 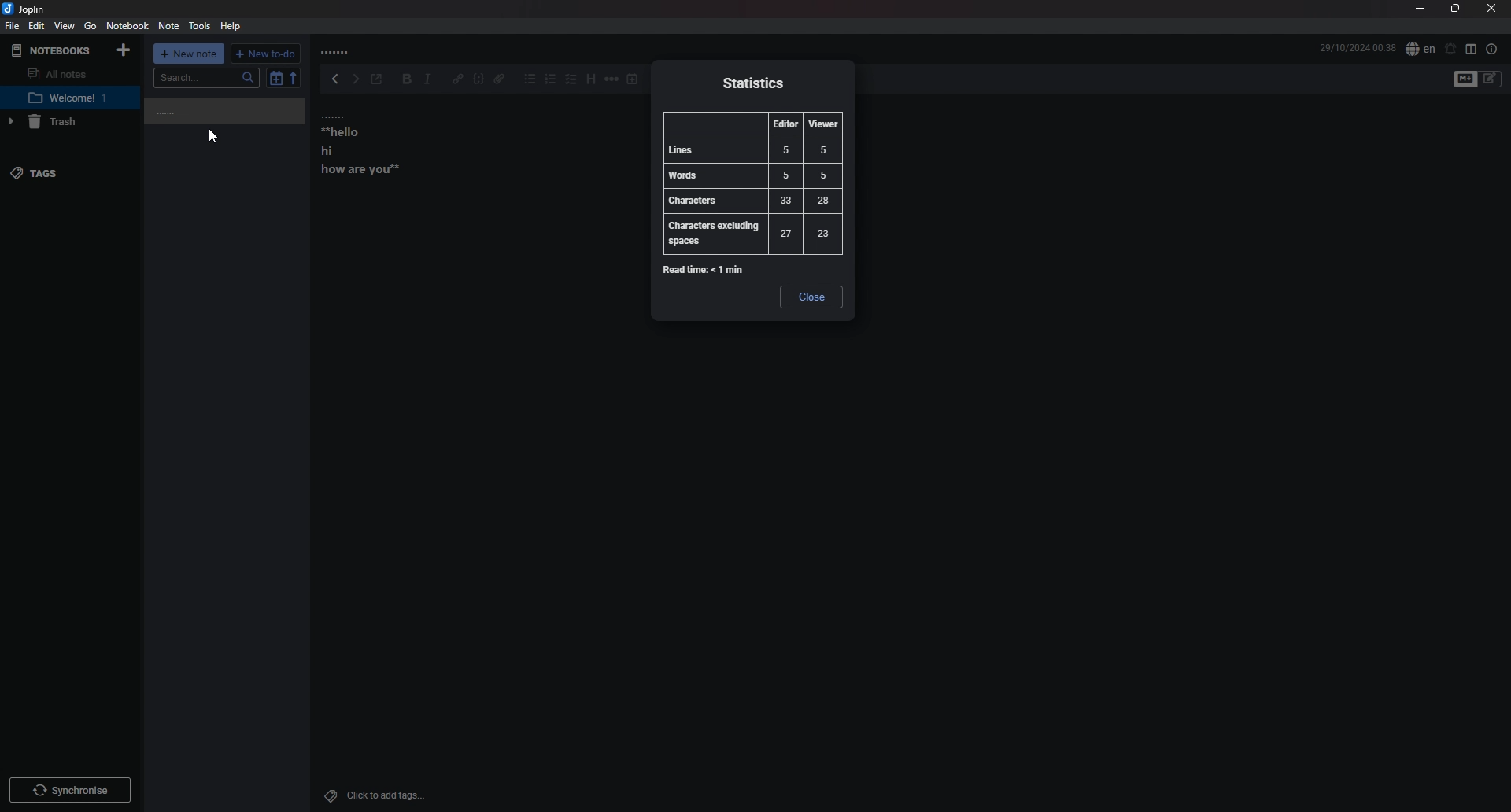 What do you see at coordinates (1493, 49) in the screenshot?
I see `Properties` at bounding box center [1493, 49].